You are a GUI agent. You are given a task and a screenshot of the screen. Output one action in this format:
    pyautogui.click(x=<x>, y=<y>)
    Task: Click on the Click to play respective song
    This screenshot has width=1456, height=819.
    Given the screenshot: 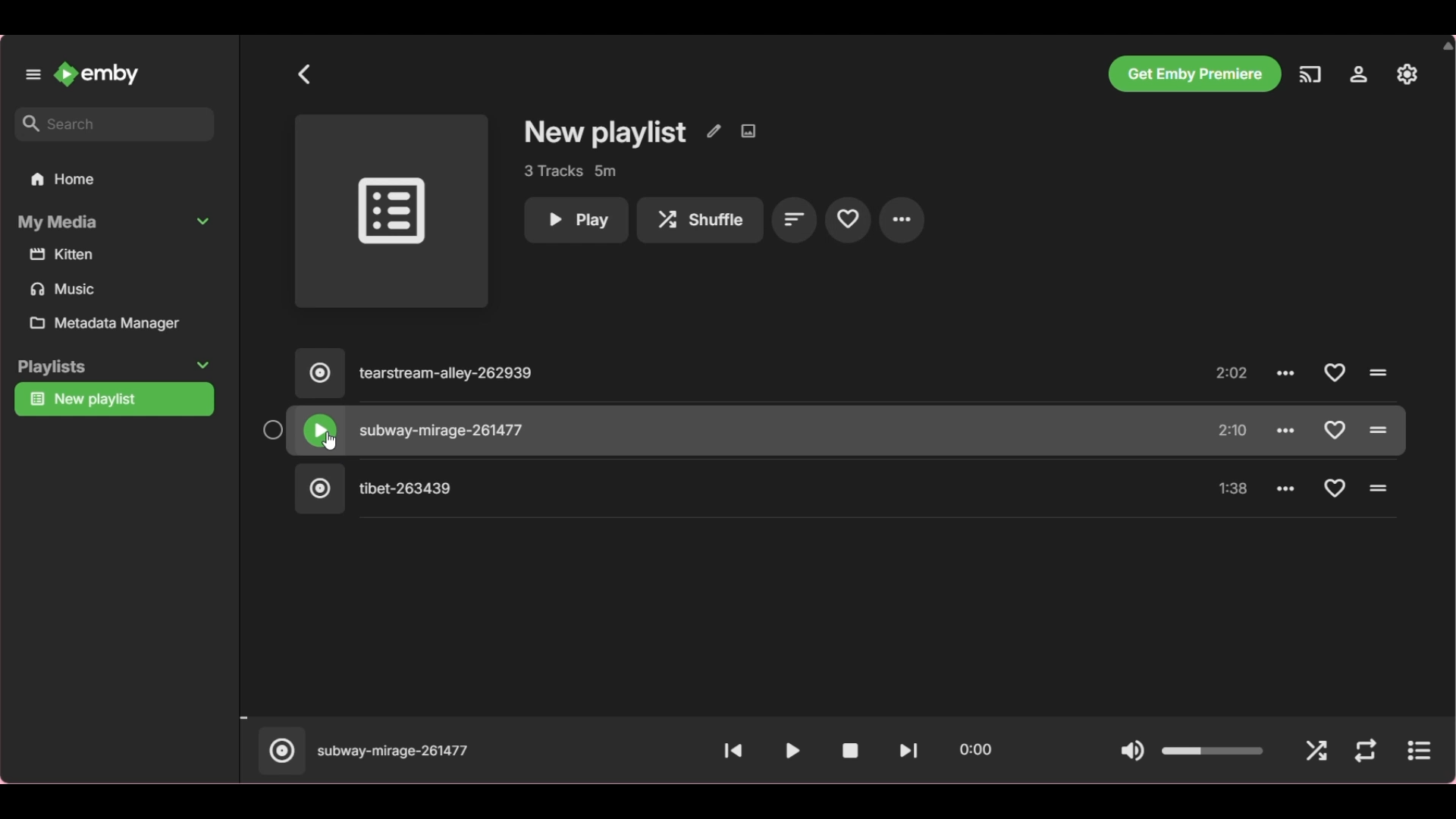 What is the action you would take?
    pyautogui.click(x=1376, y=373)
    